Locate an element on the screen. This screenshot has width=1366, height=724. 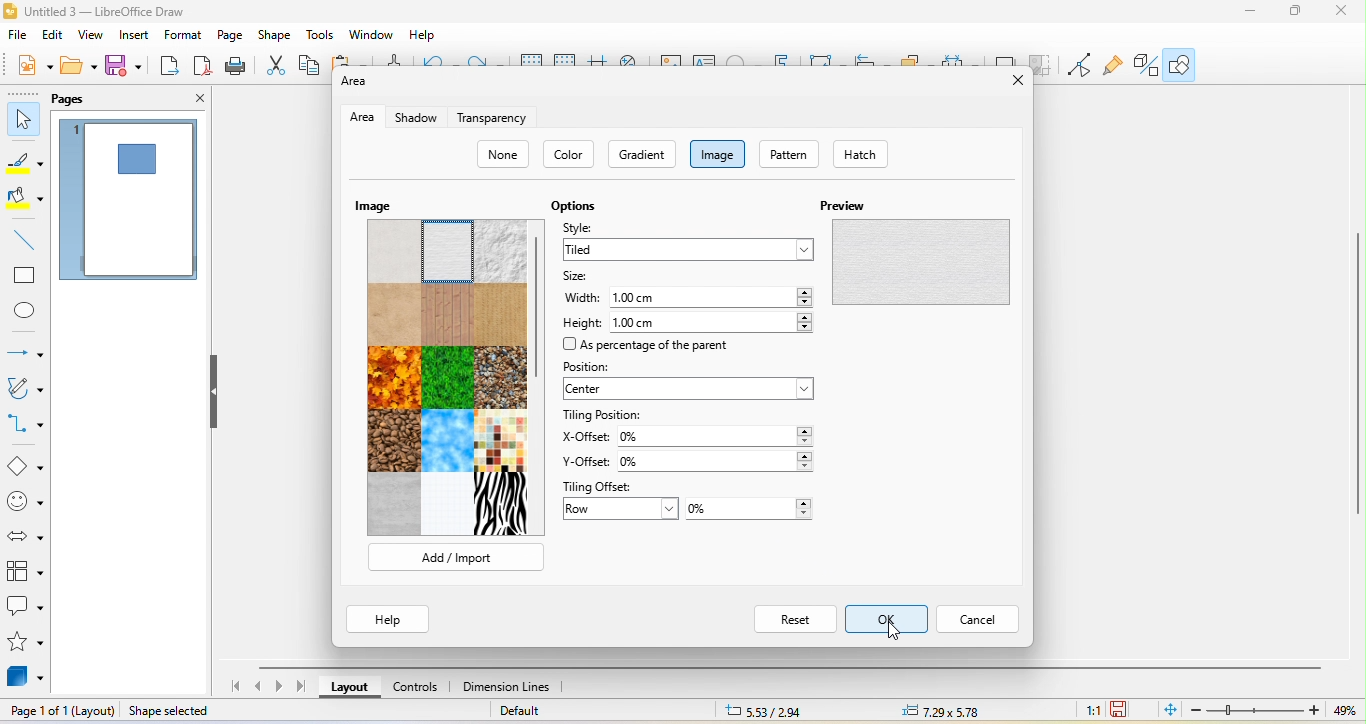
texture 5 is located at coordinates (445, 314).